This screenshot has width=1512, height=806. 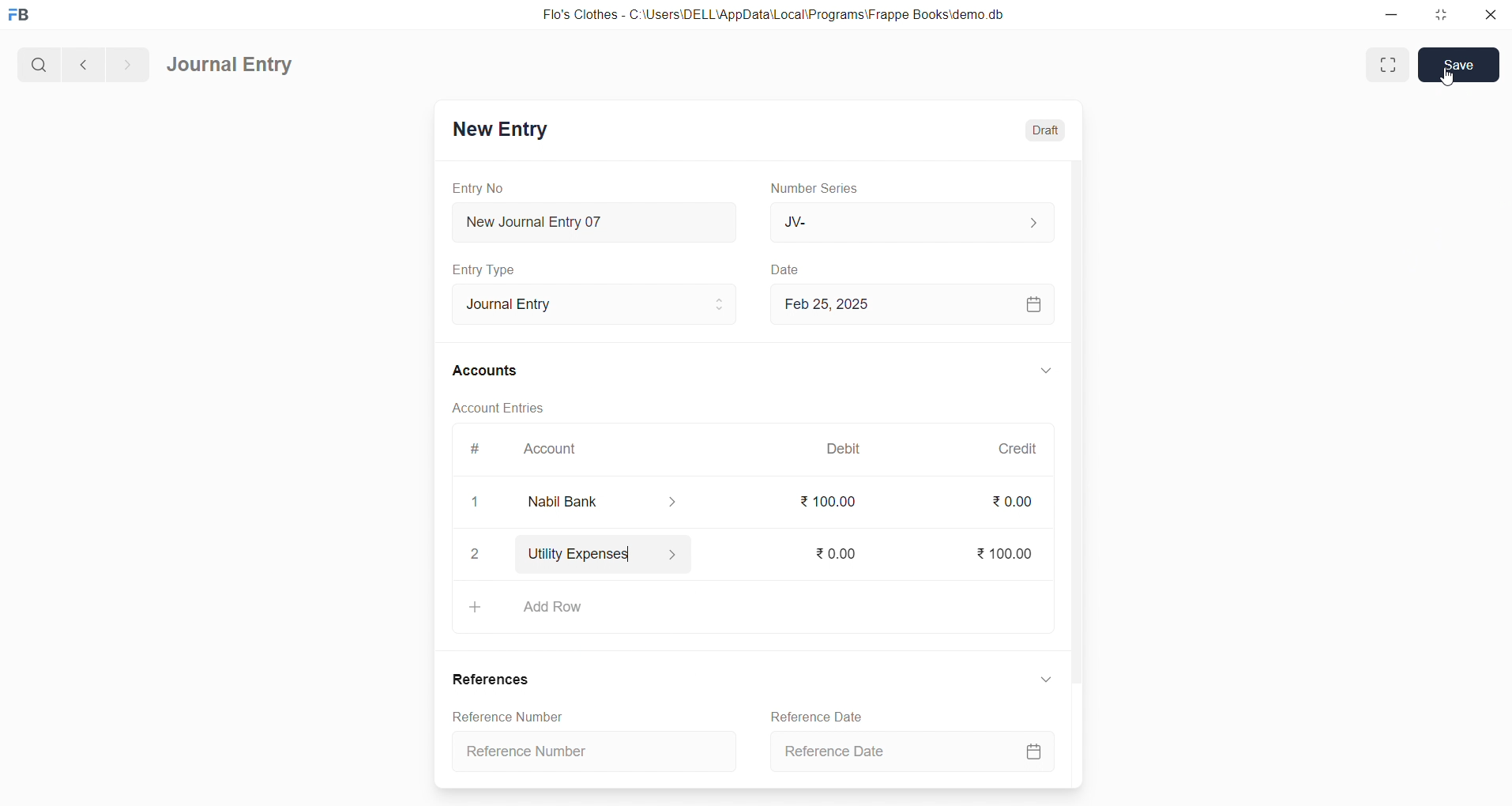 What do you see at coordinates (473, 187) in the screenshot?
I see `Entry No` at bounding box center [473, 187].